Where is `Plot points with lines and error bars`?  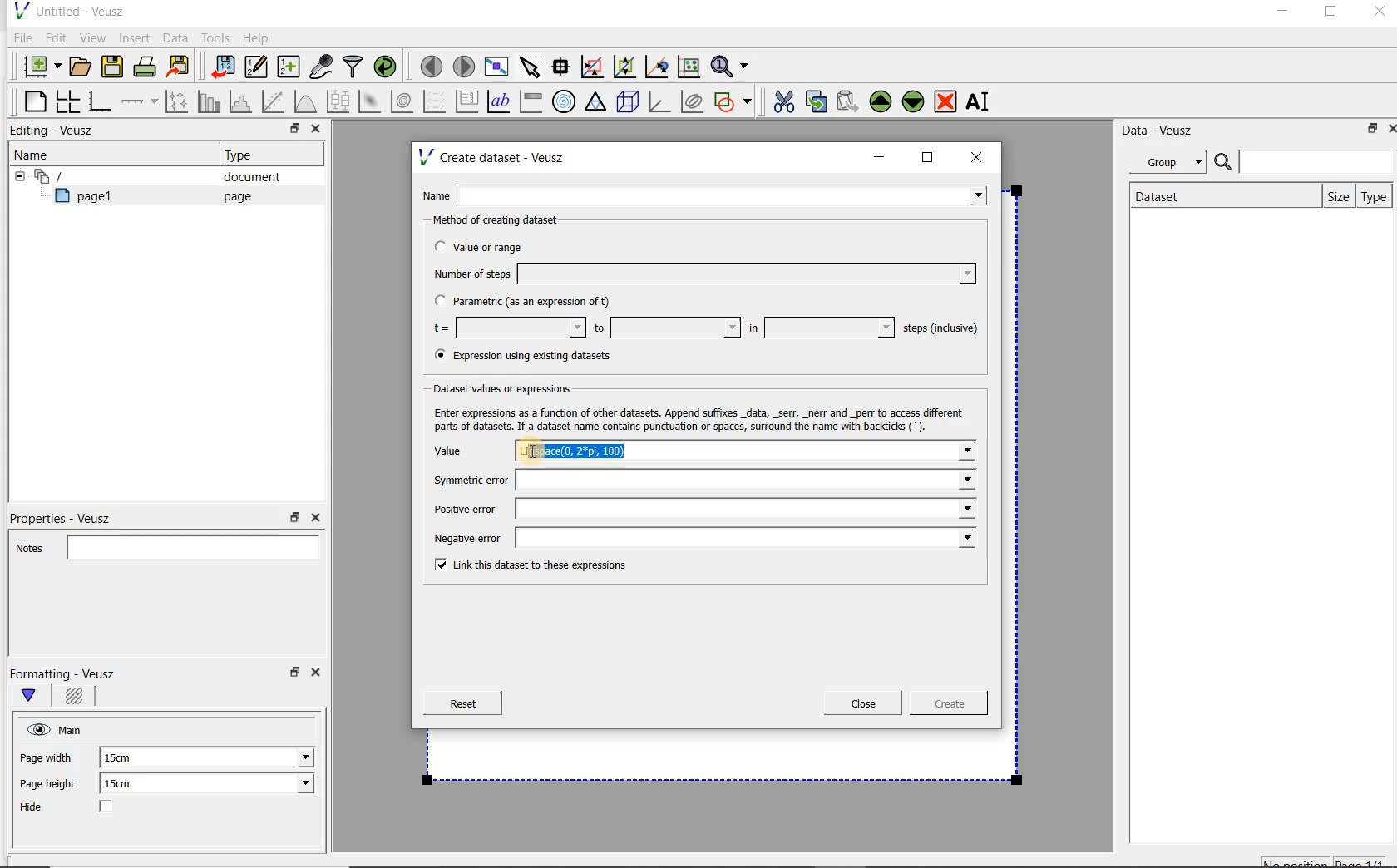 Plot points with lines and error bars is located at coordinates (178, 101).